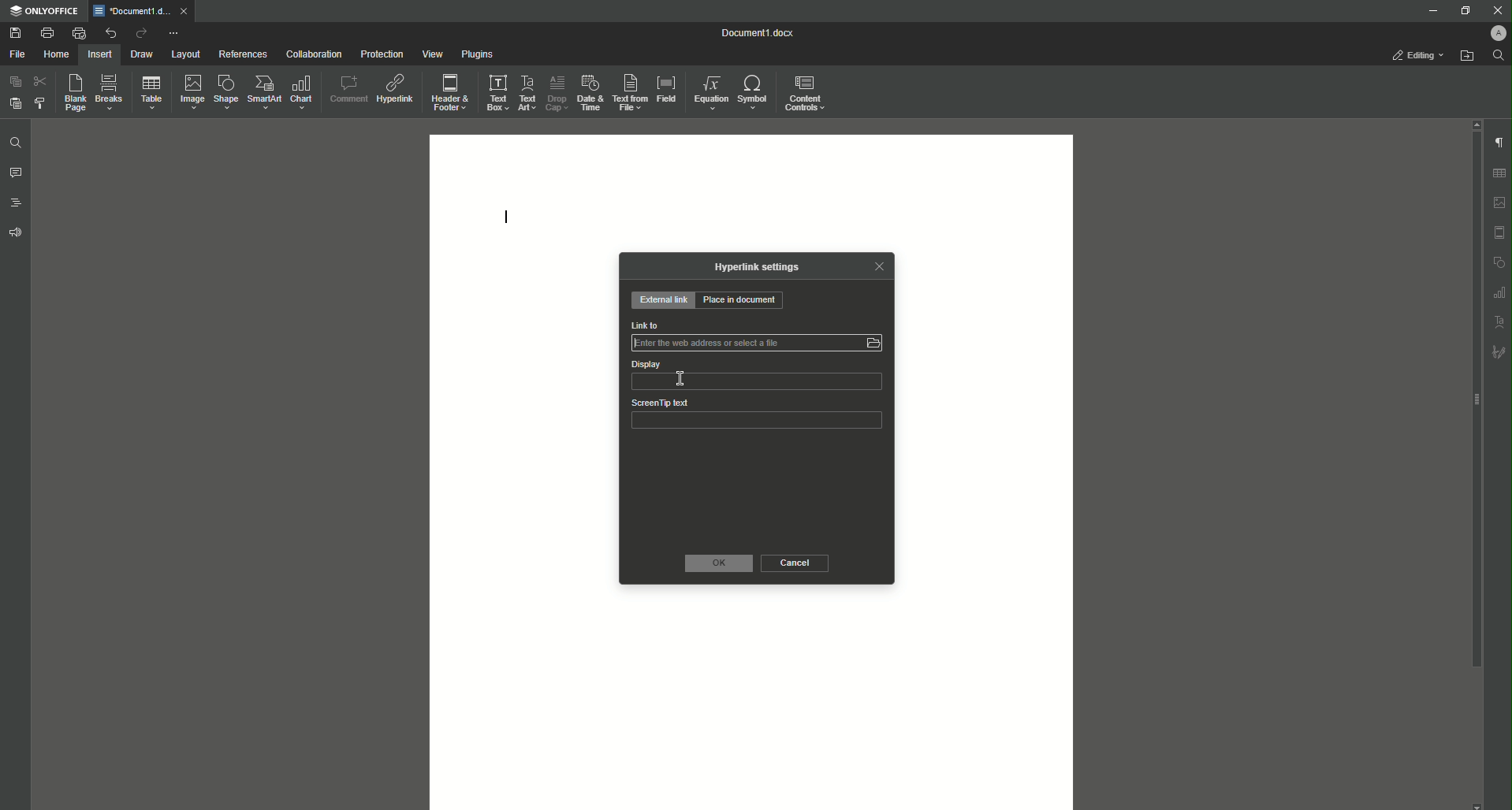 The width and height of the screenshot is (1512, 810). I want to click on Redo, so click(140, 33).